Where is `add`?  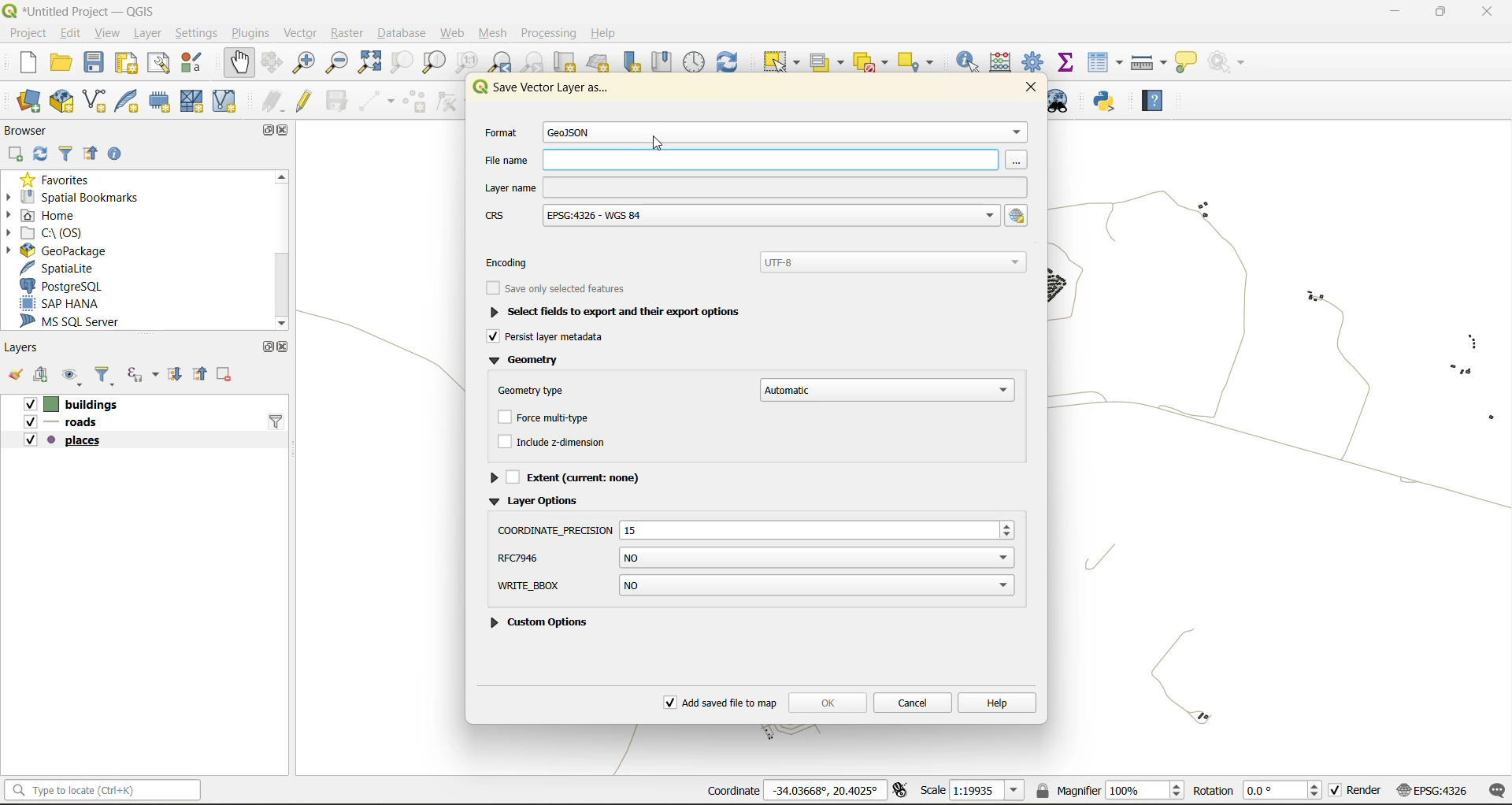
add is located at coordinates (46, 377).